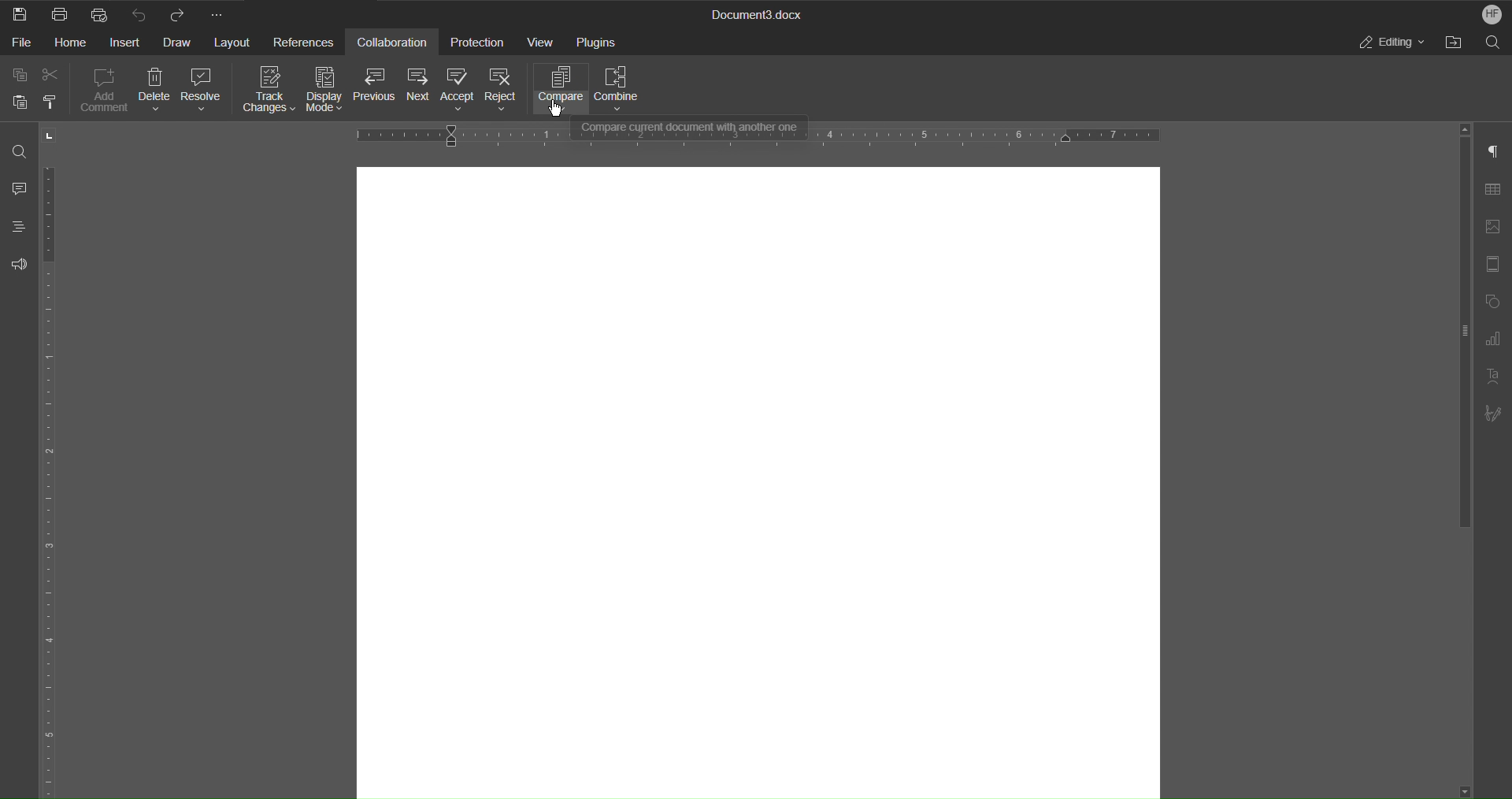 Image resolution: width=1512 pixels, height=799 pixels. What do you see at coordinates (17, 262) in the screenshot?
I see `Feedback and Support` at bounding box center [17, 262].